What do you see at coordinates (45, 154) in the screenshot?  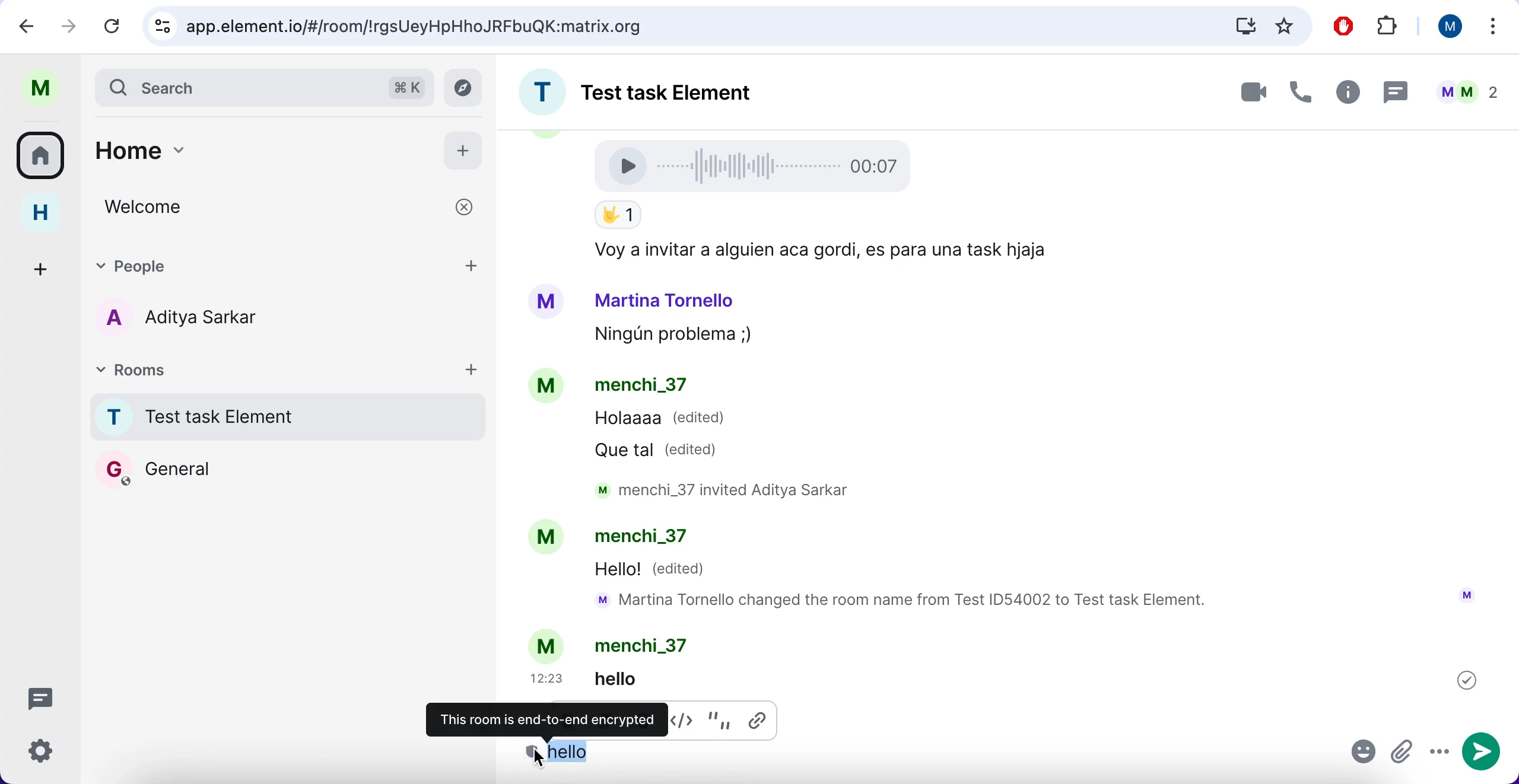 I see `rooms` at bounding box center [45, 154].